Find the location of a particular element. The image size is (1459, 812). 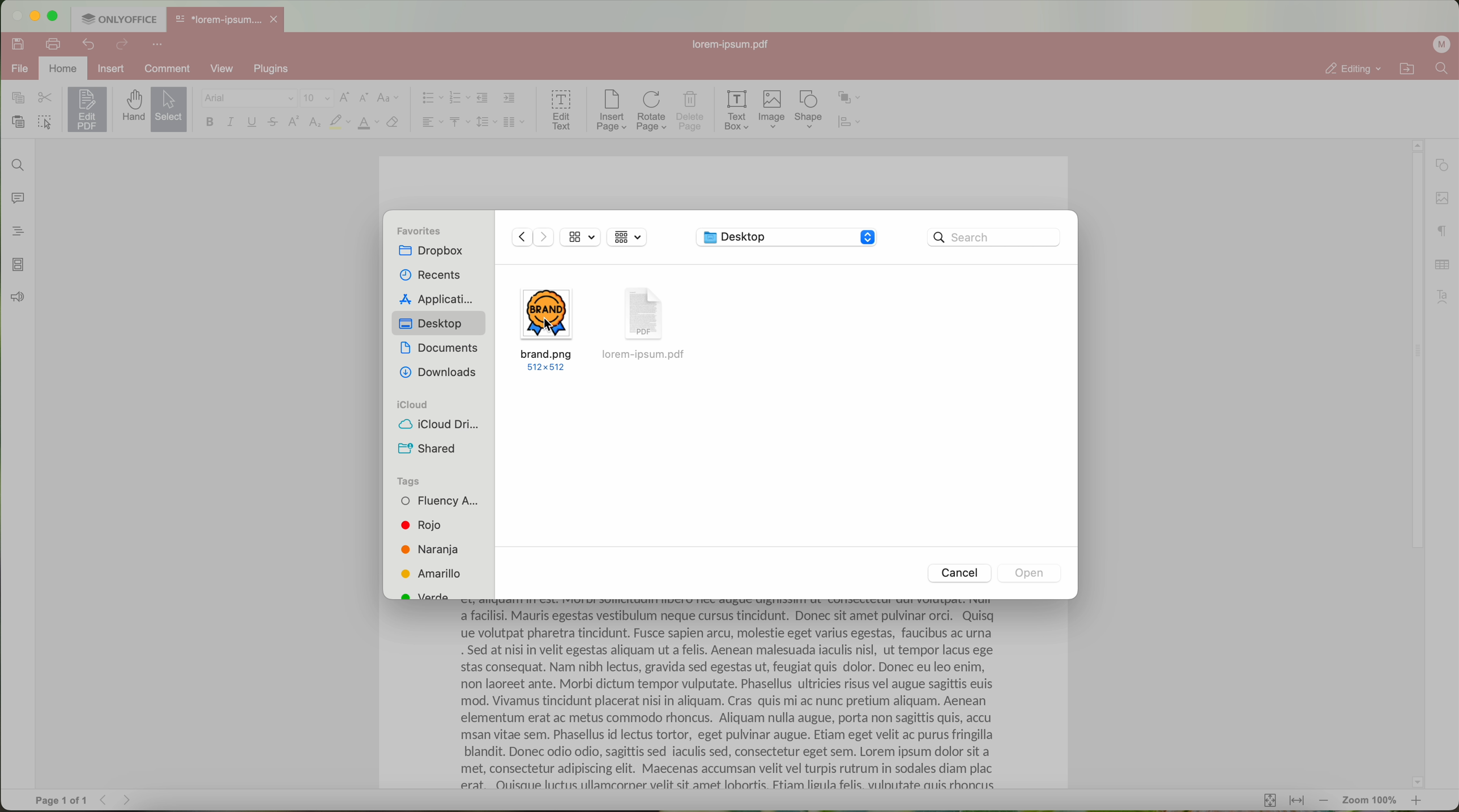

close is located at coordinates (276, 19).